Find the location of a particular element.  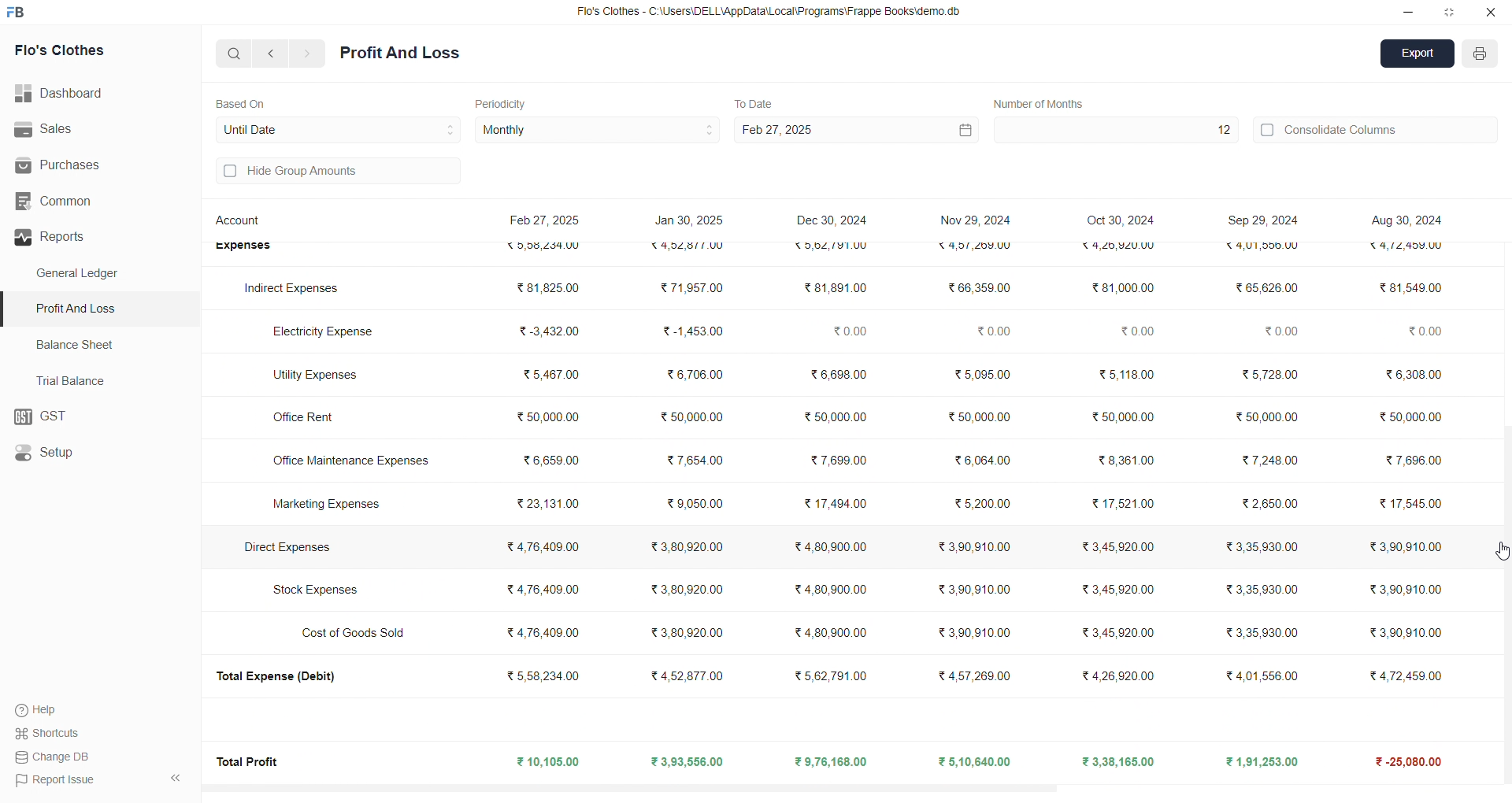

Shortcuts is located at coordinates (52, 732).